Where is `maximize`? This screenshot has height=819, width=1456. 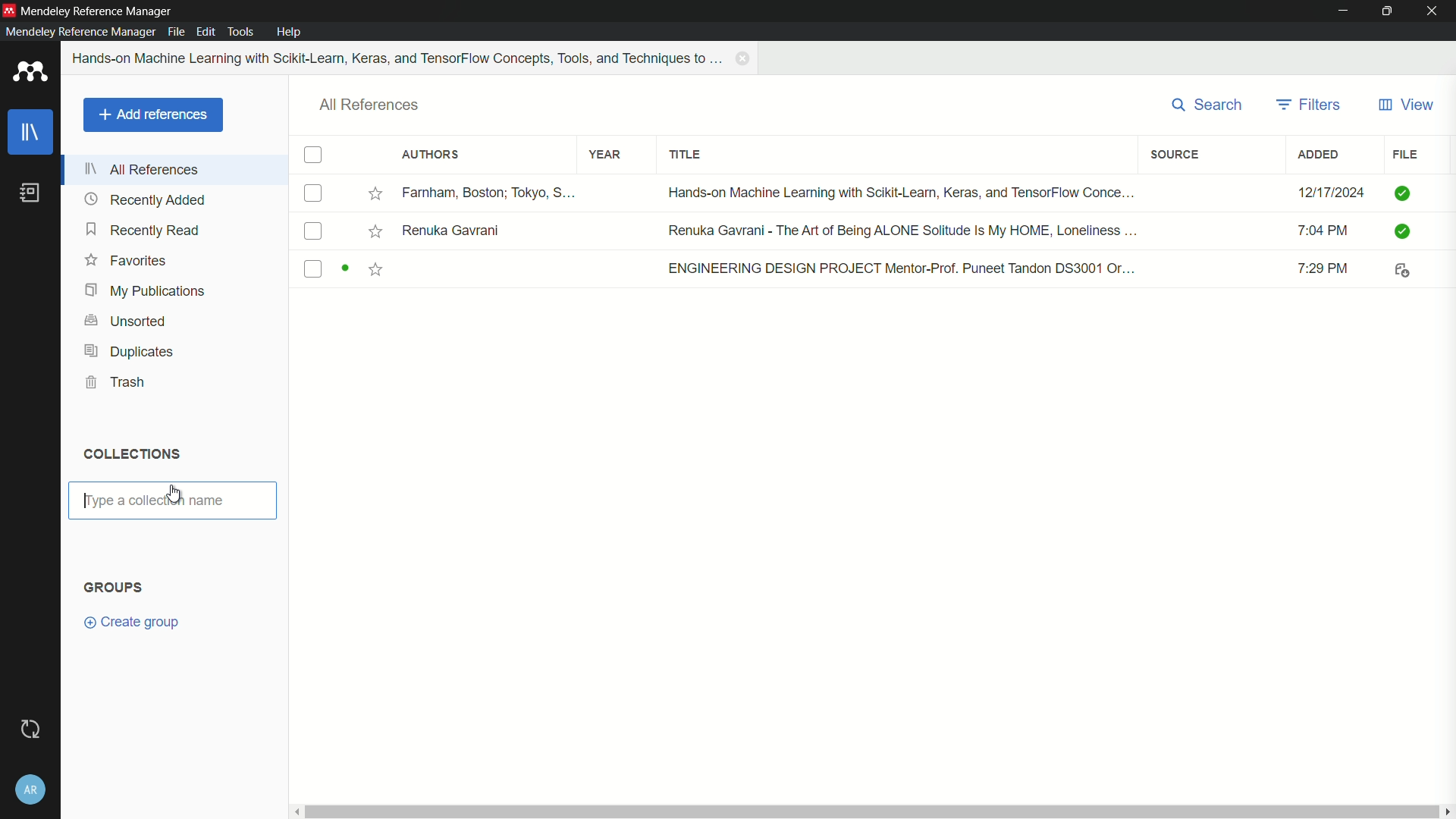
maximize is located at coordinates (1391, 11).